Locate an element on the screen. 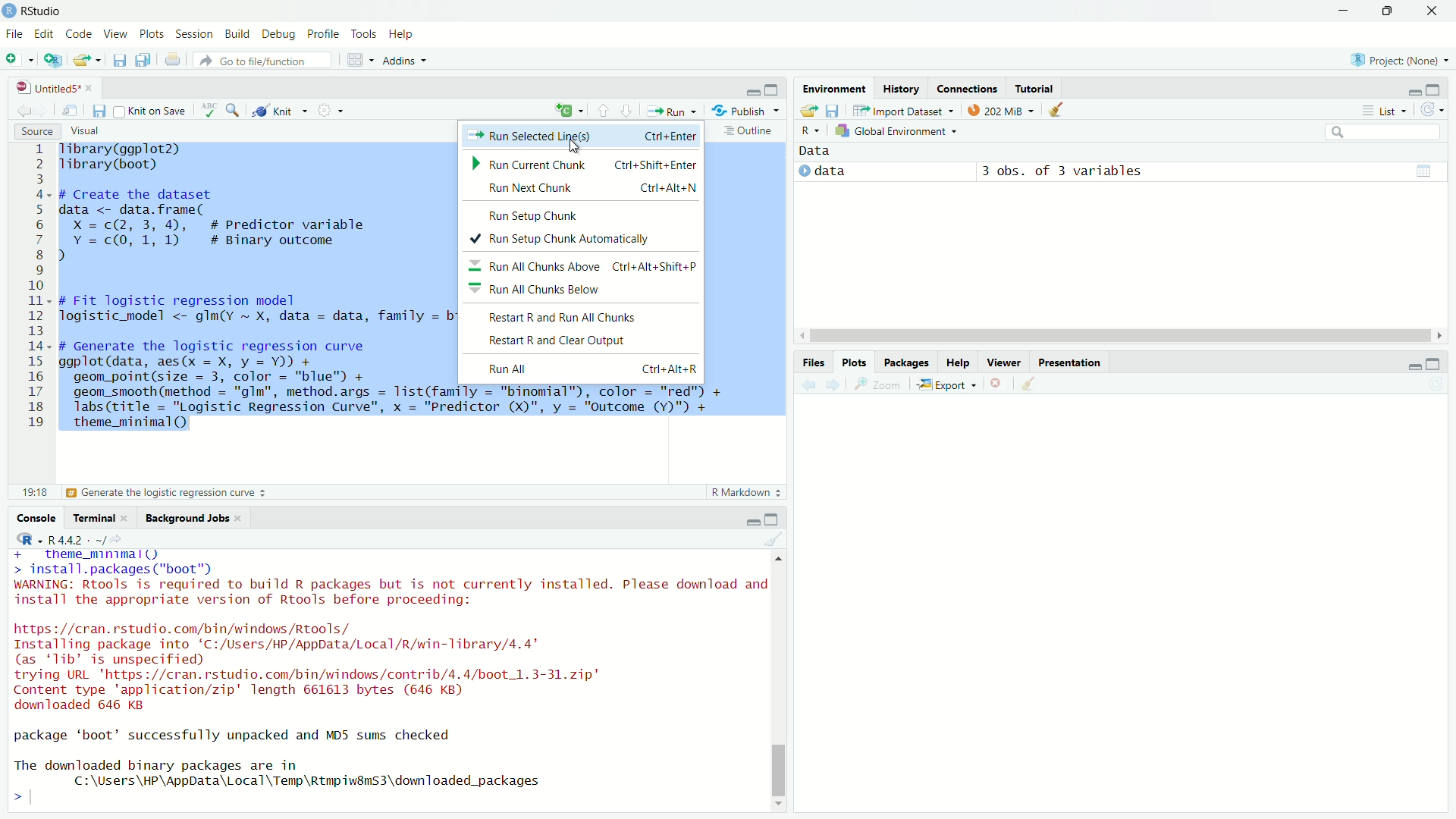  Go to previous section/chunk is located at coordinates (602, 110).